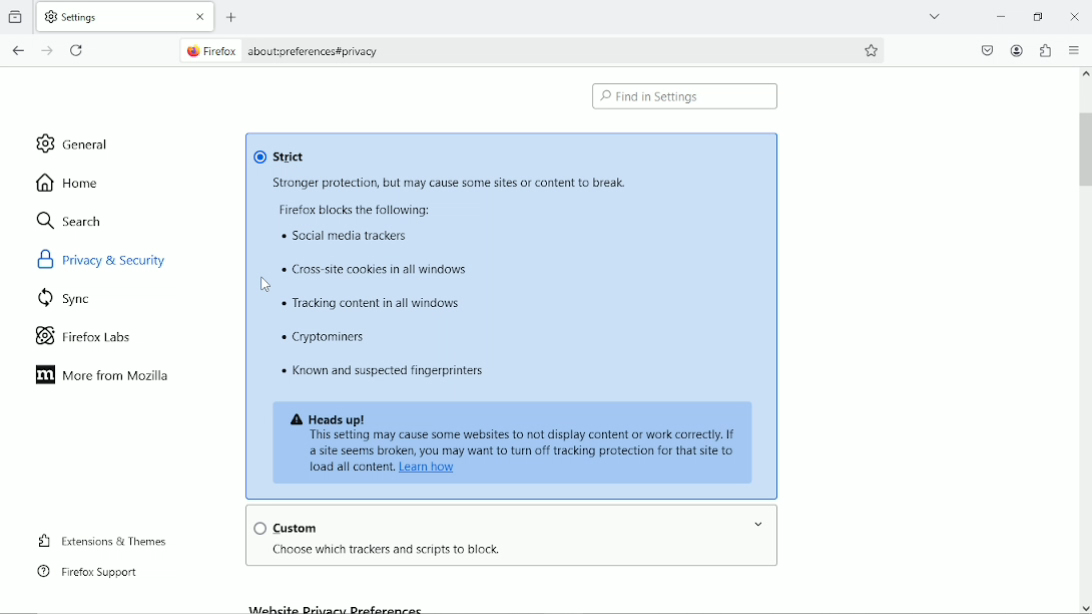 Image resolution: width=1092 pixels, height=614 pixels. What do you see at coordinates (84, 572) in the screenshot?
I see `firefox support` at bounding box center [84, 572].